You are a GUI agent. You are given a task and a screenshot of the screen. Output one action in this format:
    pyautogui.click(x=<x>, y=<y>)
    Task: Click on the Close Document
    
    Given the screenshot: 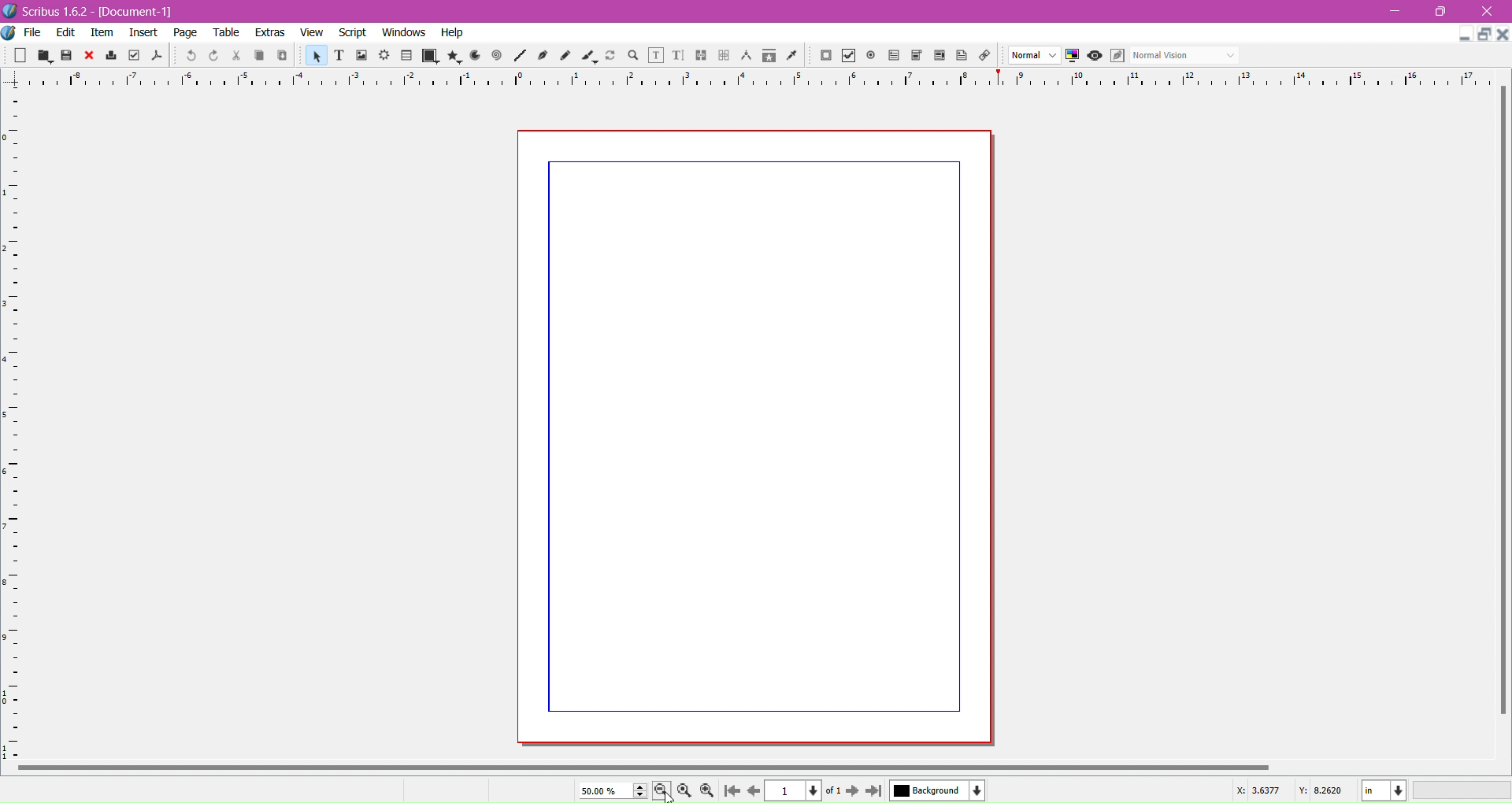 What is the action you would take?
    pyautogui.click(x=1503, y=35)
    